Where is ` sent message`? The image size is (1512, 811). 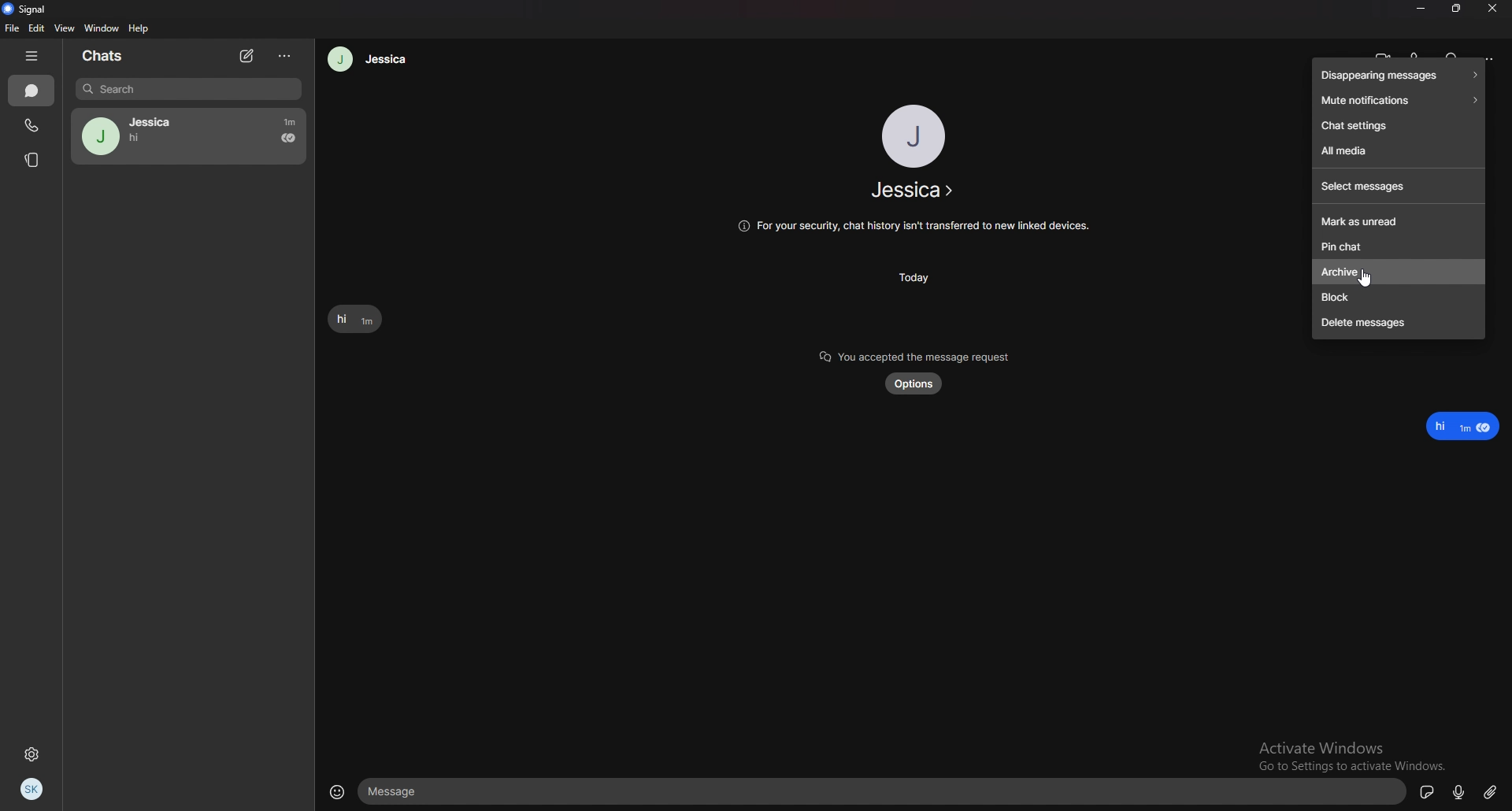  sent message is located at coordinates (1465, 426).